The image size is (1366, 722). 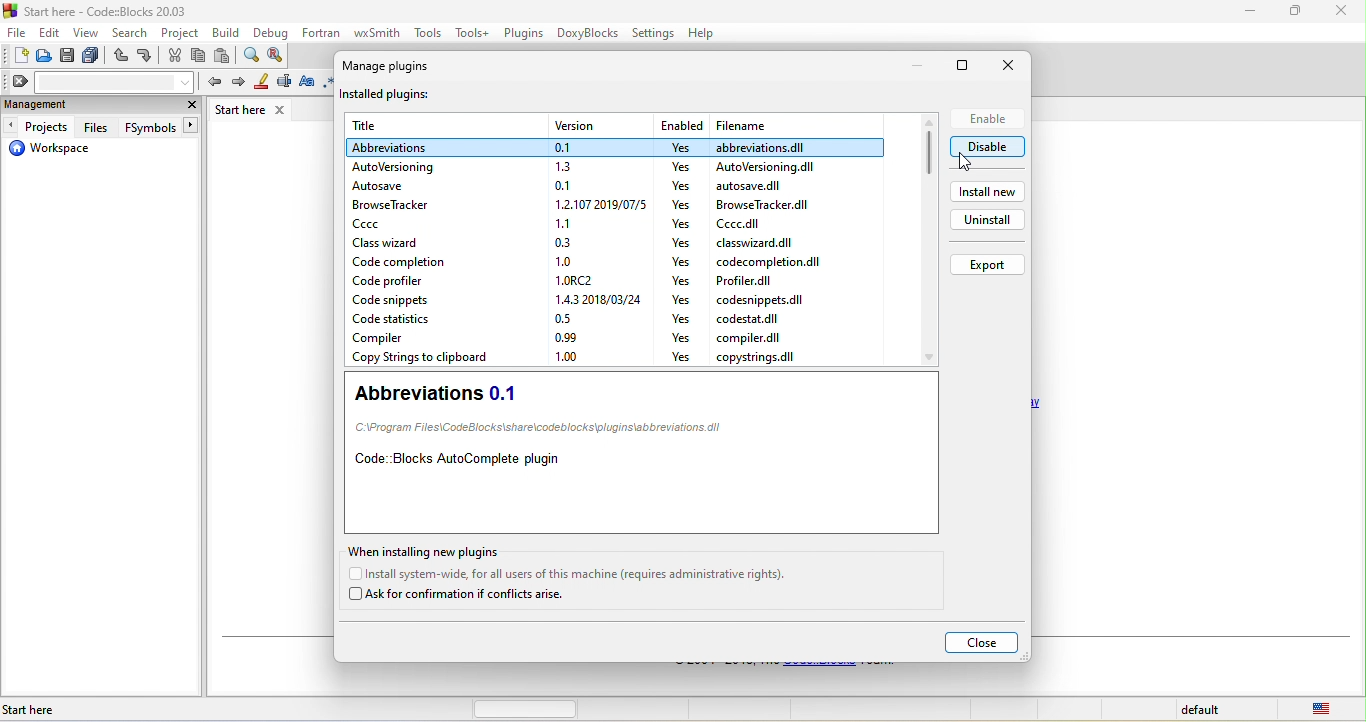 I want to click on filename, so click(x=771, y=123).